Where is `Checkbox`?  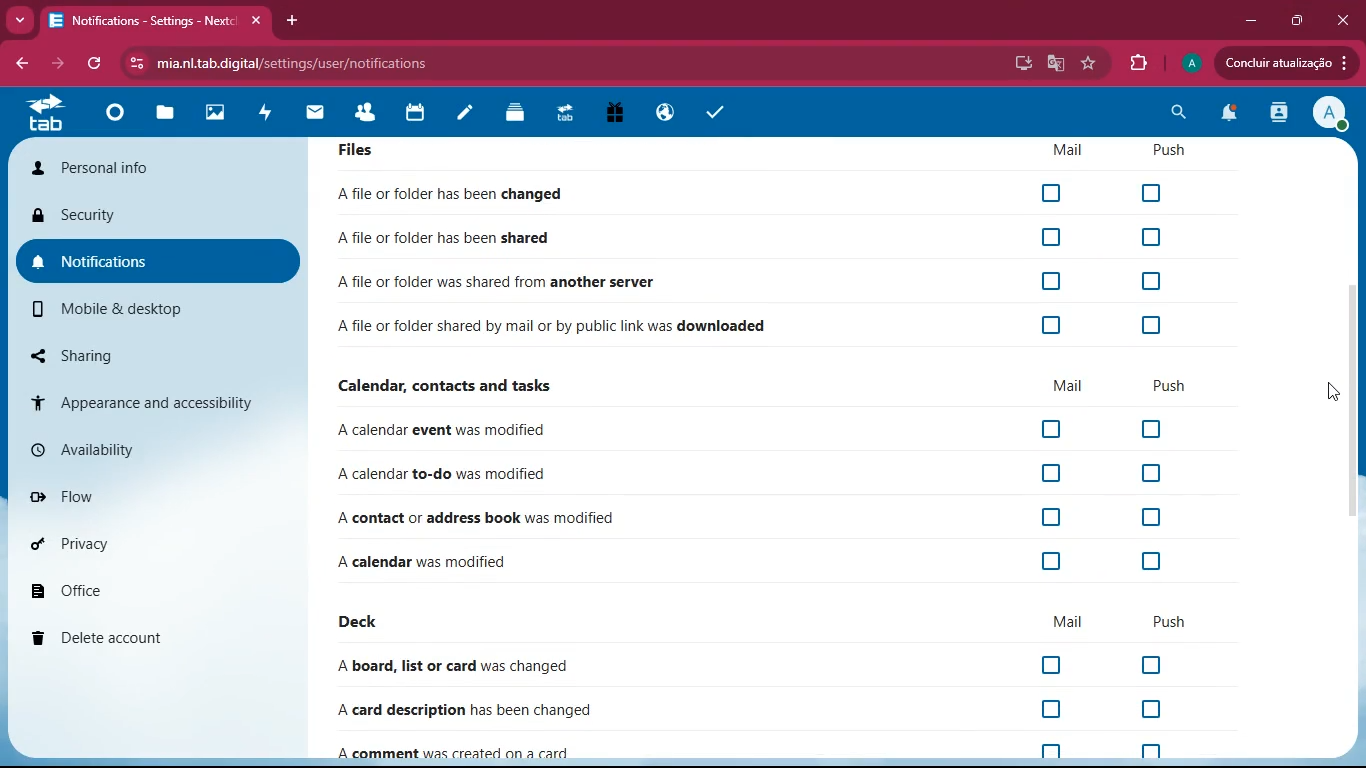
Checkbox is located at coordinates (1157, 326).